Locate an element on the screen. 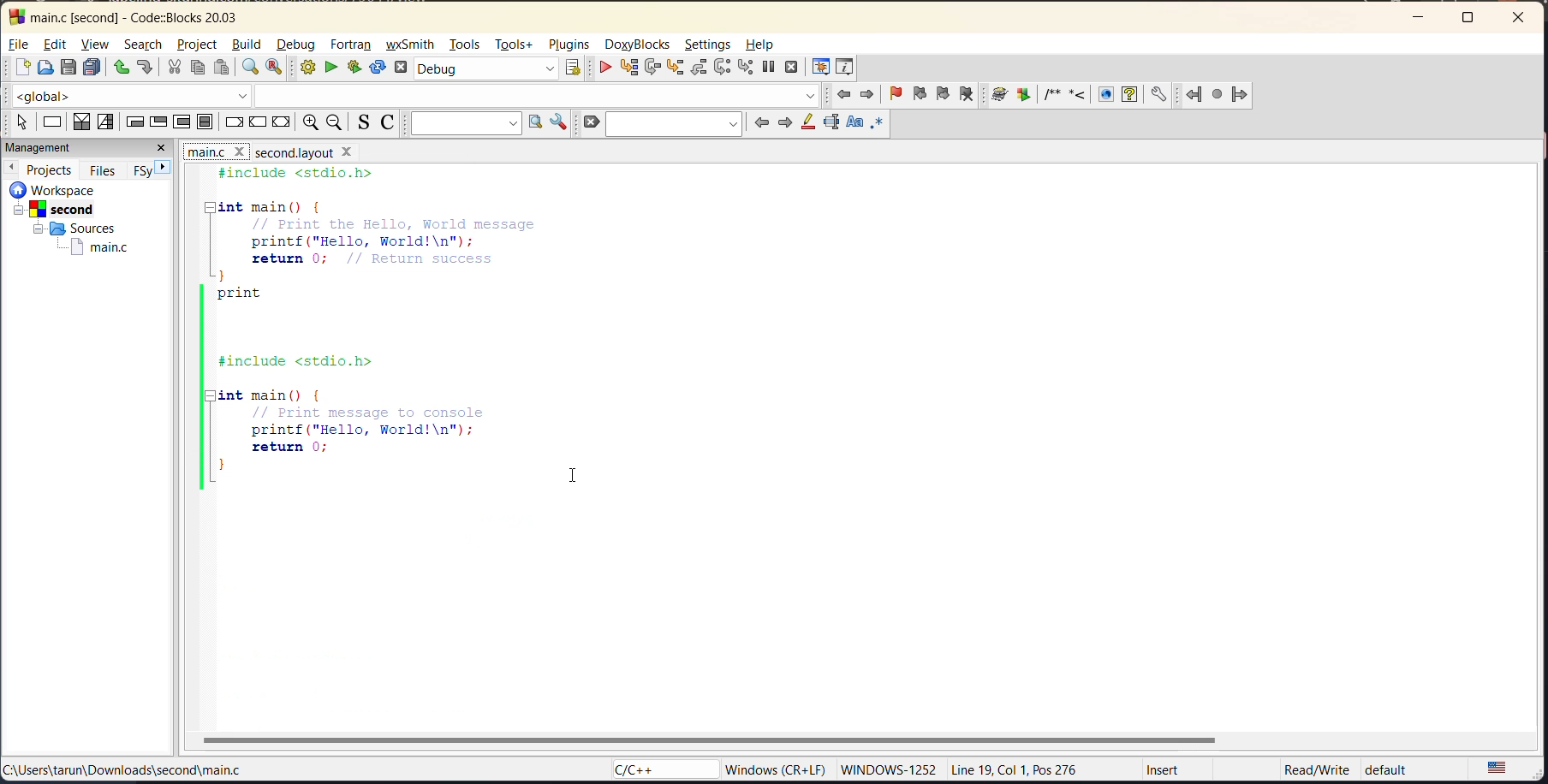  ‘Windows (CR+LF) WINDOWS-1252 is located at coordinates (829, 769).